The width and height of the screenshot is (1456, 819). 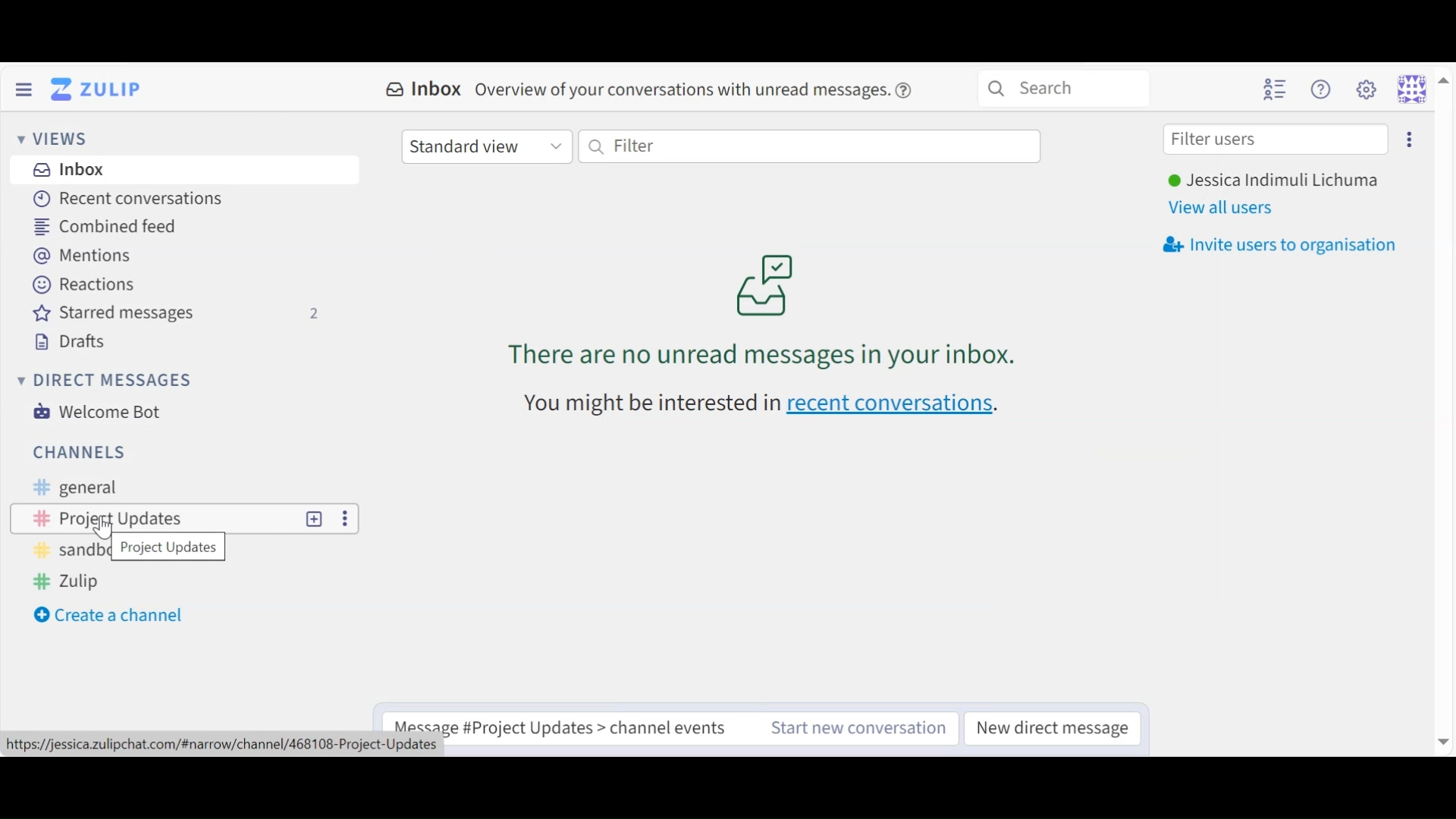 What do you see at coordinates (170, 548) in the screenshot?
I see `pop up message` at bounding box center [170, 548].